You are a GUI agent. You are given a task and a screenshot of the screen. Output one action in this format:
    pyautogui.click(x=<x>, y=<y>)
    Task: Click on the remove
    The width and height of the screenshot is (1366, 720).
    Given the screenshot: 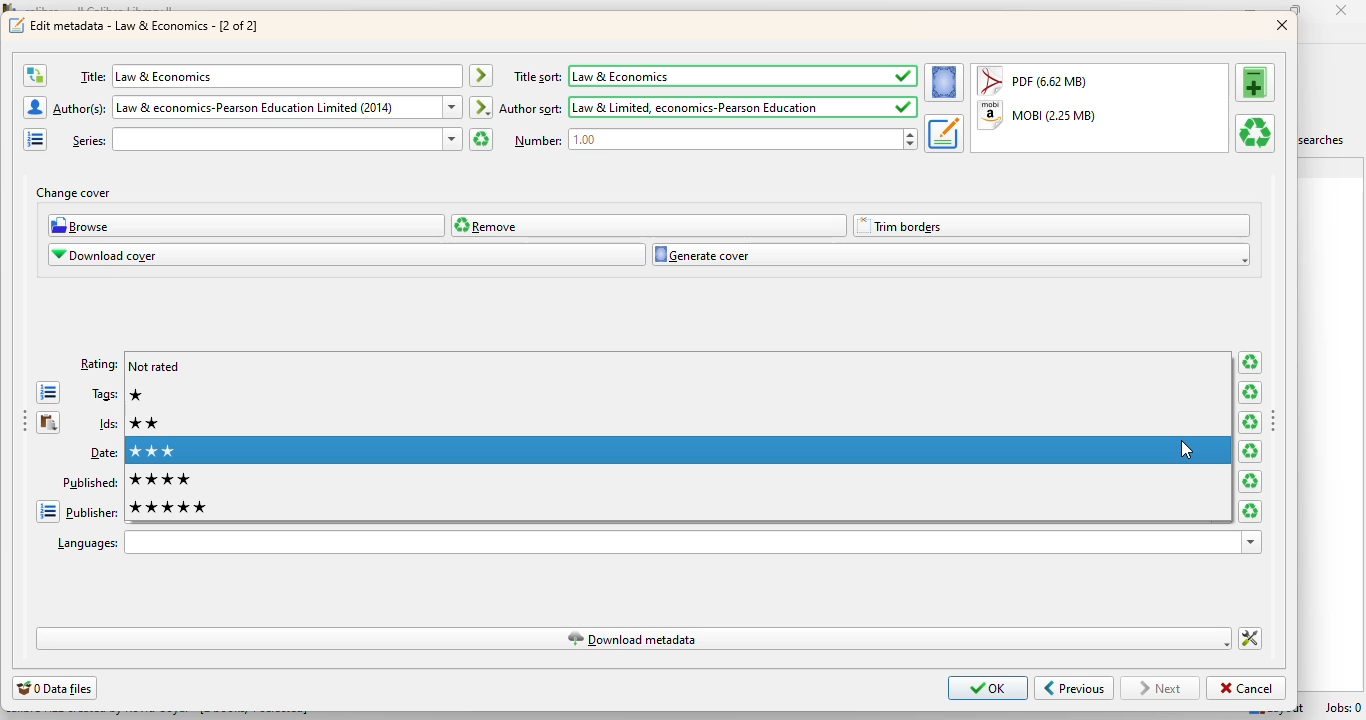 What is the action you would take?
    pyautogui.click(x=649, y=225)
    